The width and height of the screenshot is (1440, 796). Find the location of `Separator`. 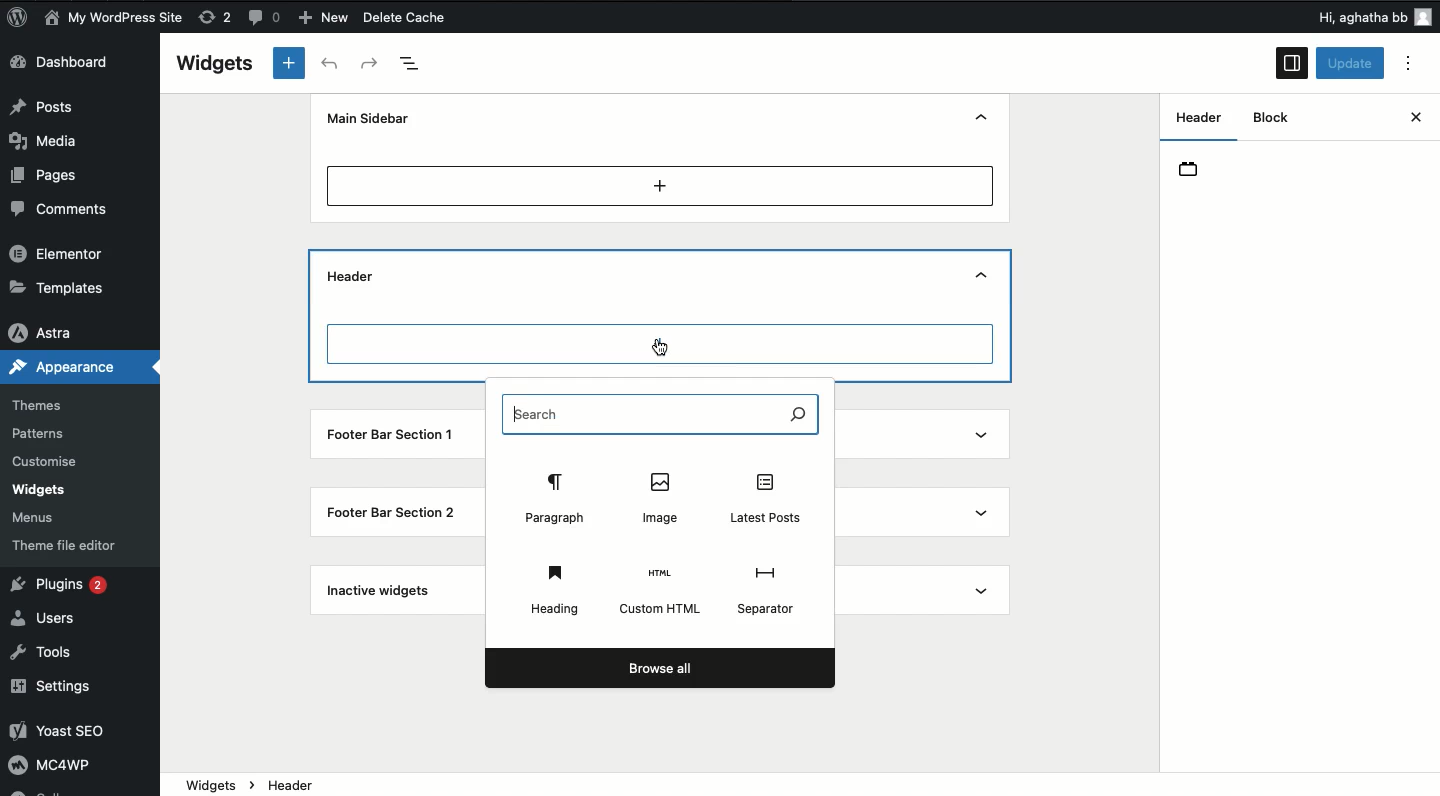

Separator is located at coordinates (770, 587).